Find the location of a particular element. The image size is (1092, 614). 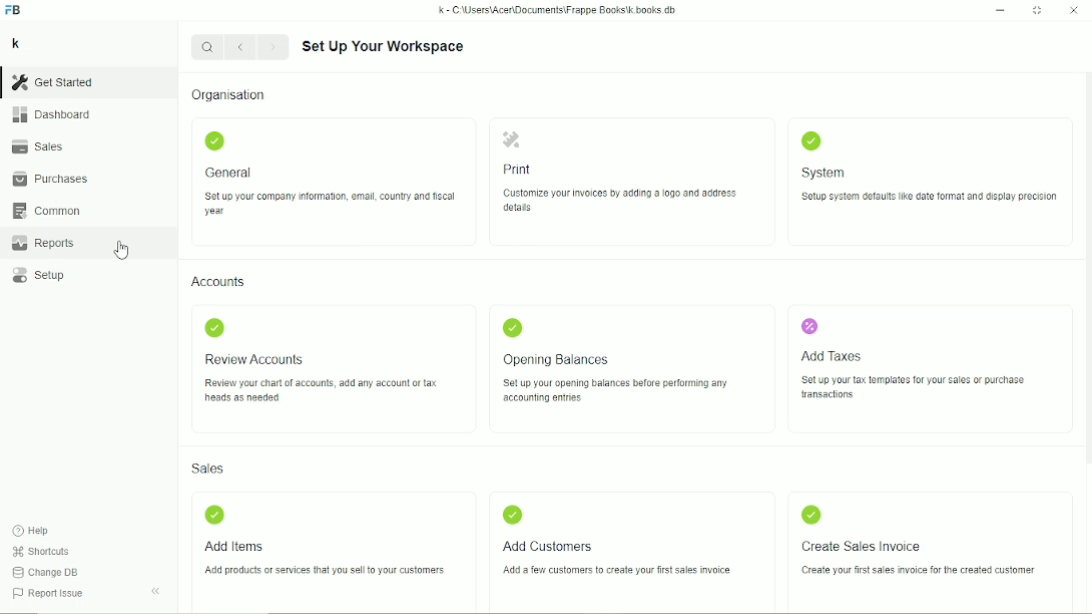

Add items add products or services that you sell to your customers. is located at coordinates (322, 542).